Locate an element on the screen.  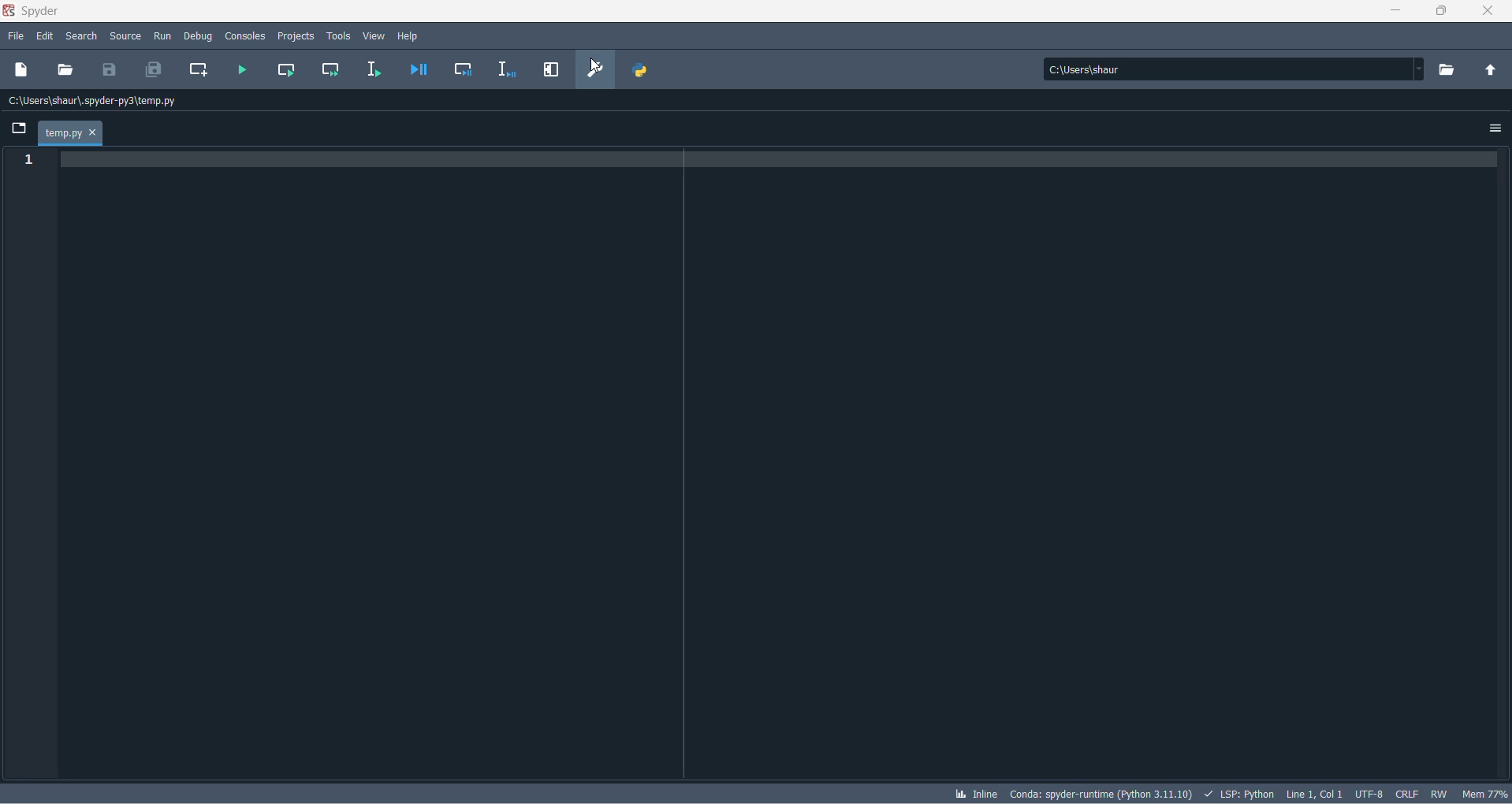
charset is located at coordinates (1369, 792).